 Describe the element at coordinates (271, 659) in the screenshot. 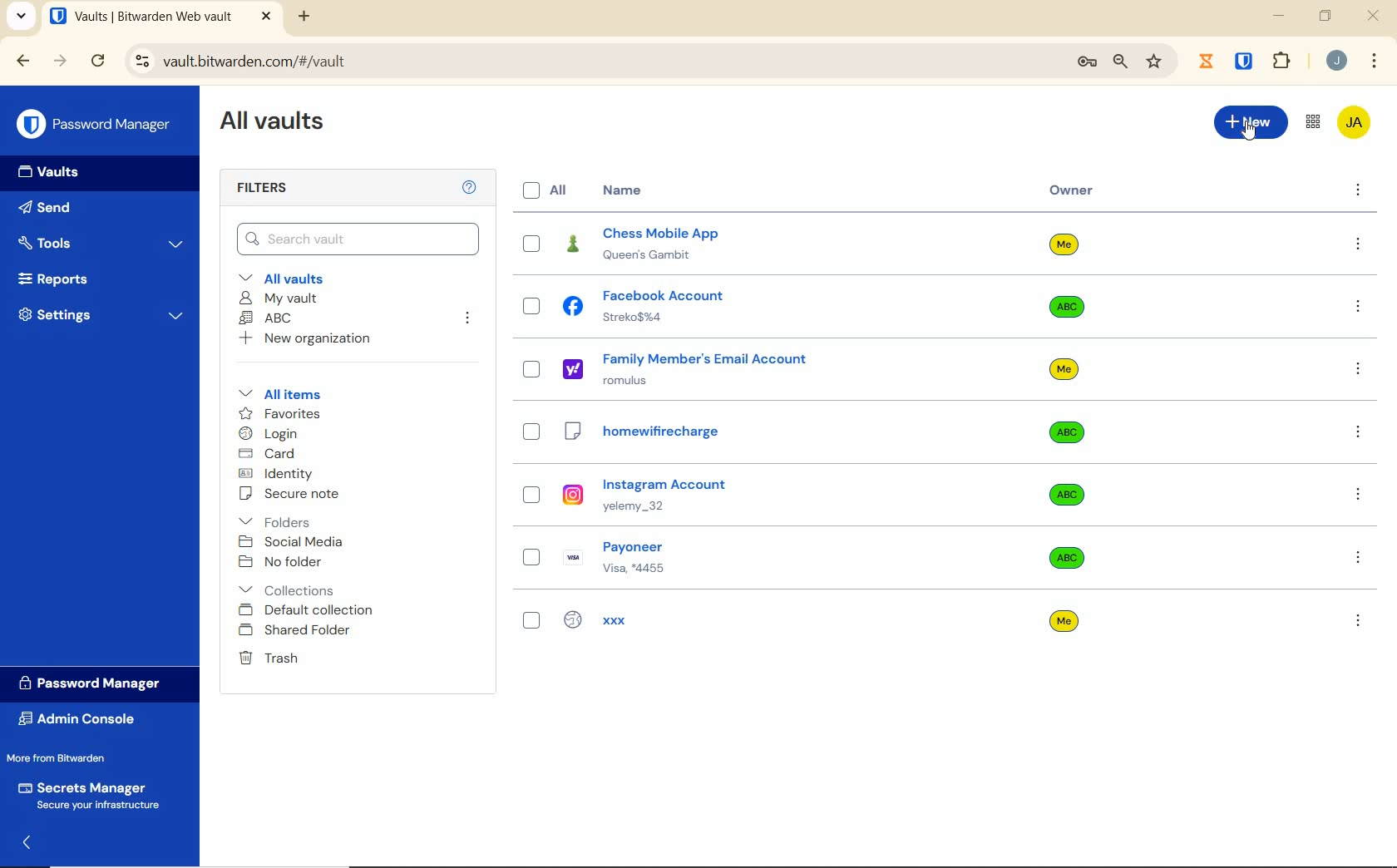

I see `Trash` at that location.